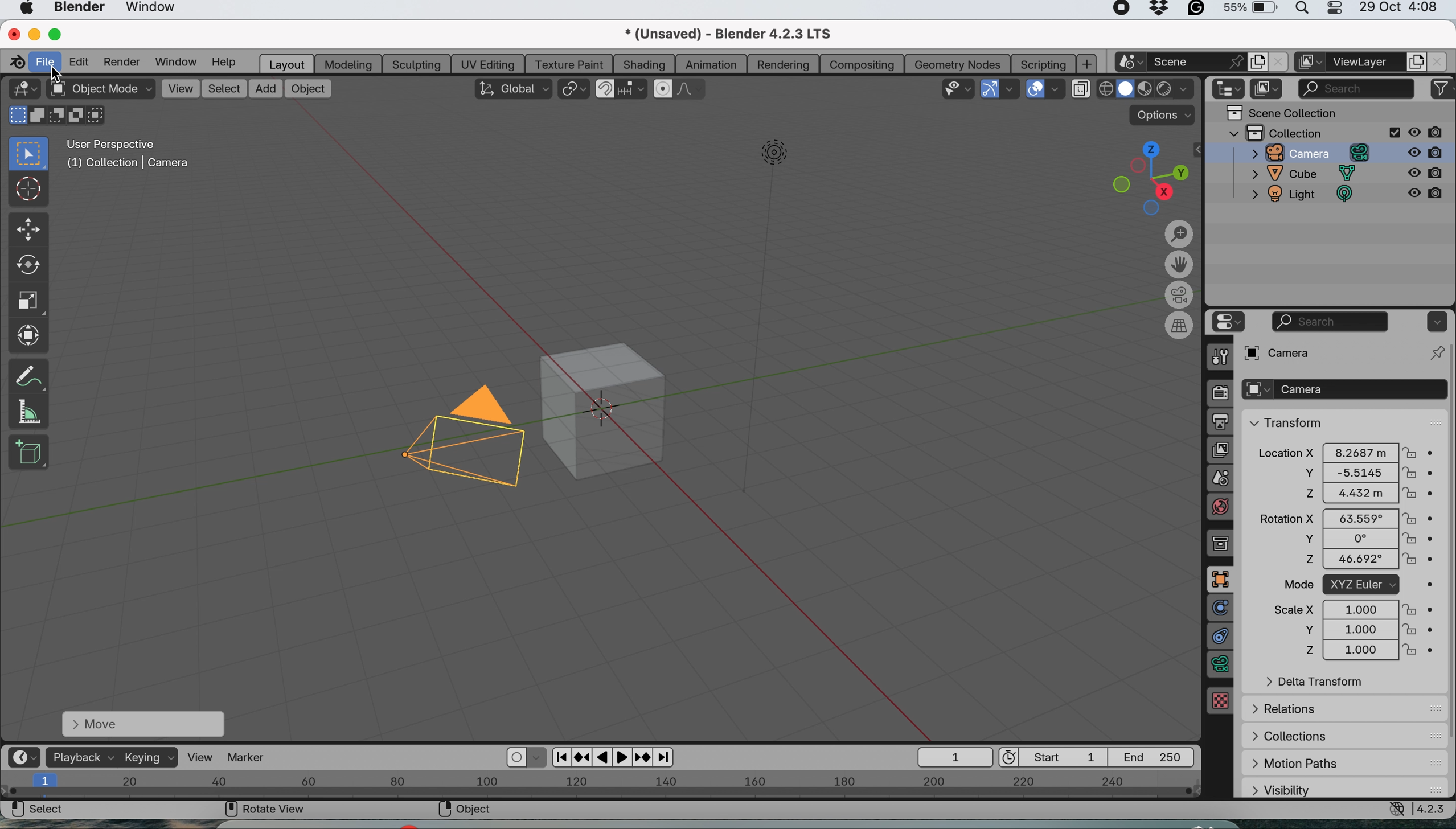 The height and width of the screenshot is (829, 1456). What do you see at coordinates (783, 64) in the screenshot?
I see `rendering` at bounding box center [783, 64].